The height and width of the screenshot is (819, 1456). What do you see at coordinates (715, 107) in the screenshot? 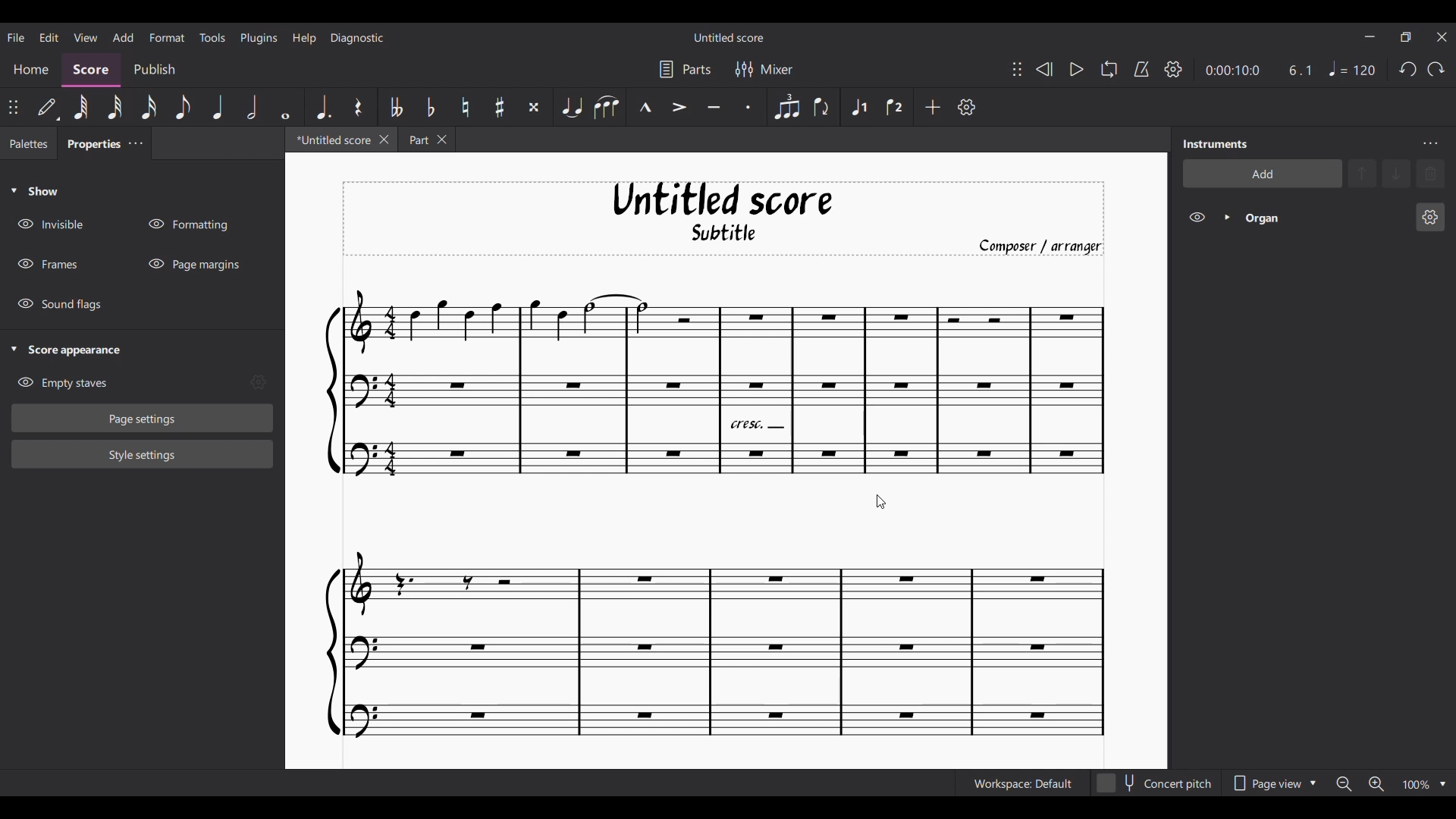
I see `Tenuto` at bounding box center [715, 107].